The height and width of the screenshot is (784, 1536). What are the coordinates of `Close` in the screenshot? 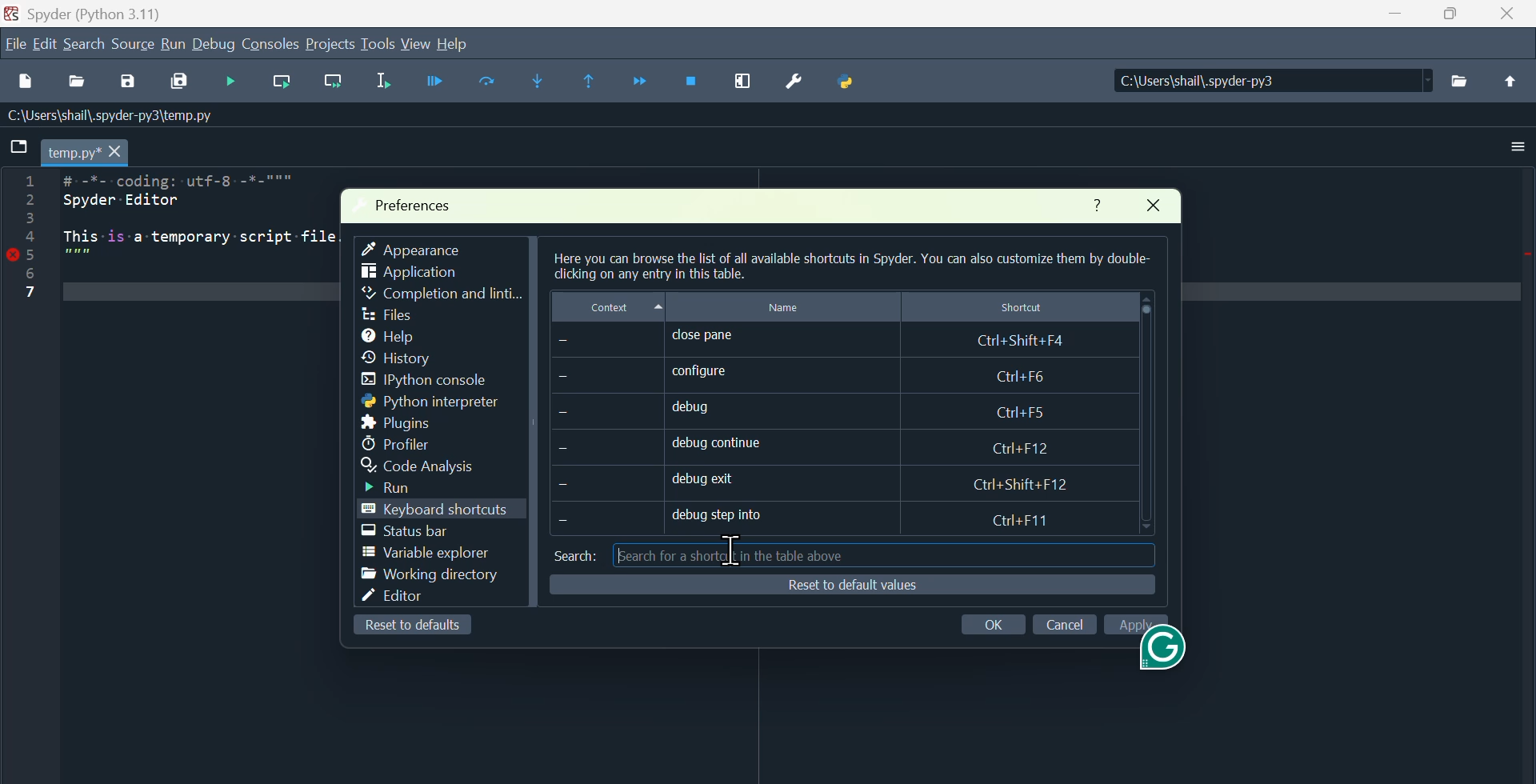 It's located at (1512, 19).